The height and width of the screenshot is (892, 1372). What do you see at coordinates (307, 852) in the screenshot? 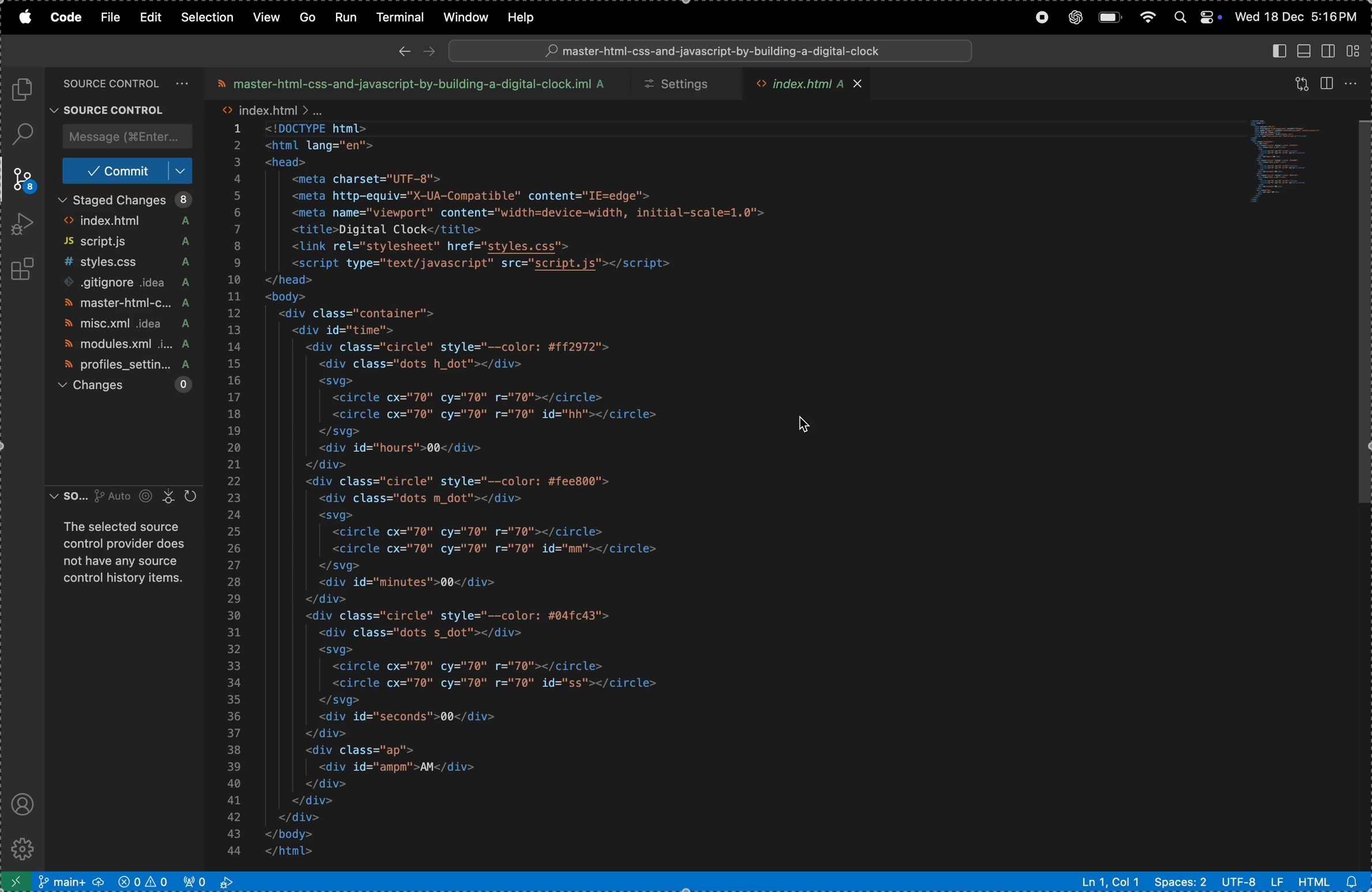
I see `</html>` at bounding box center [307, 852].